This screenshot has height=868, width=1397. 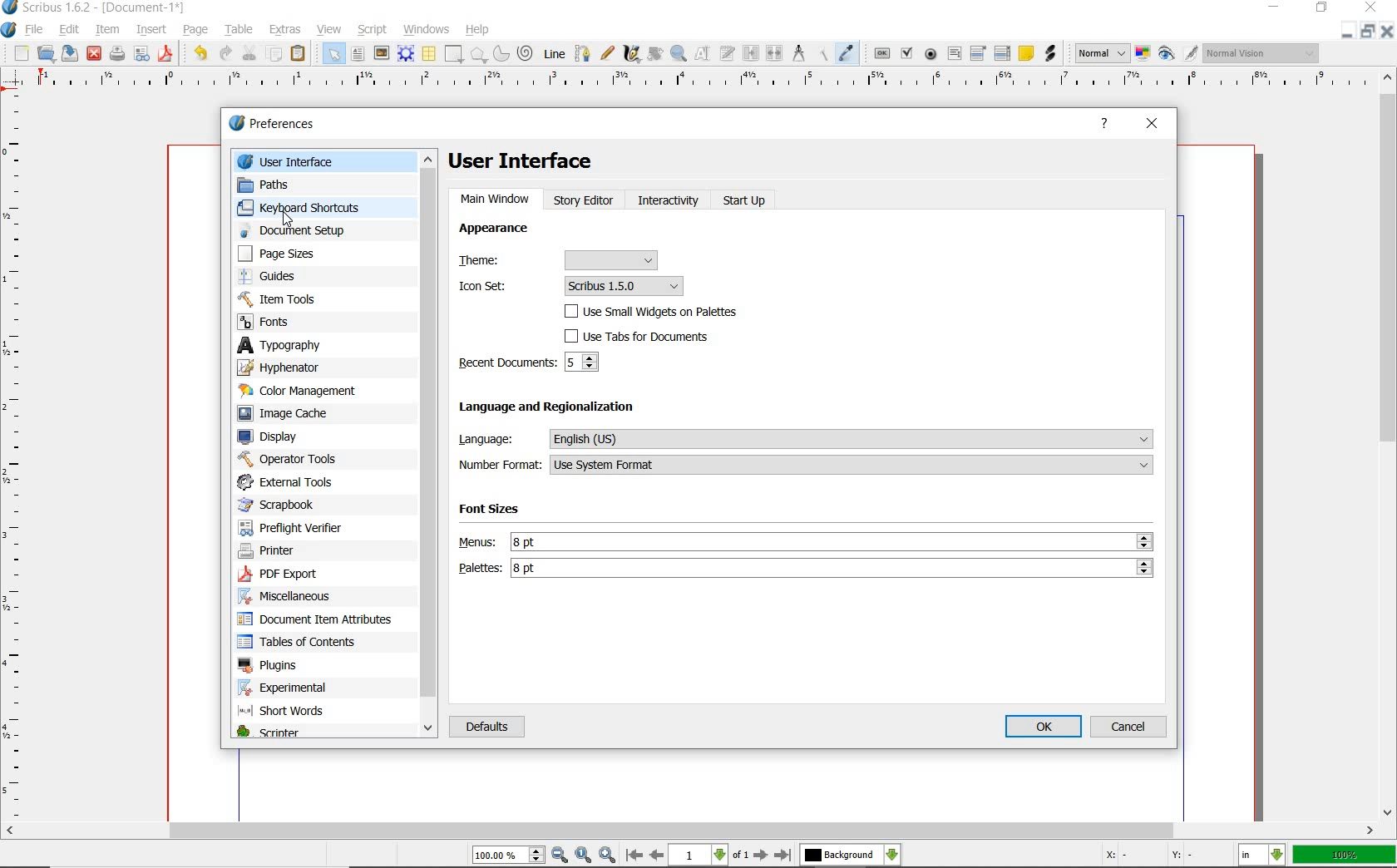 I want to click on select the current unit, so click(x=1261, y=856).